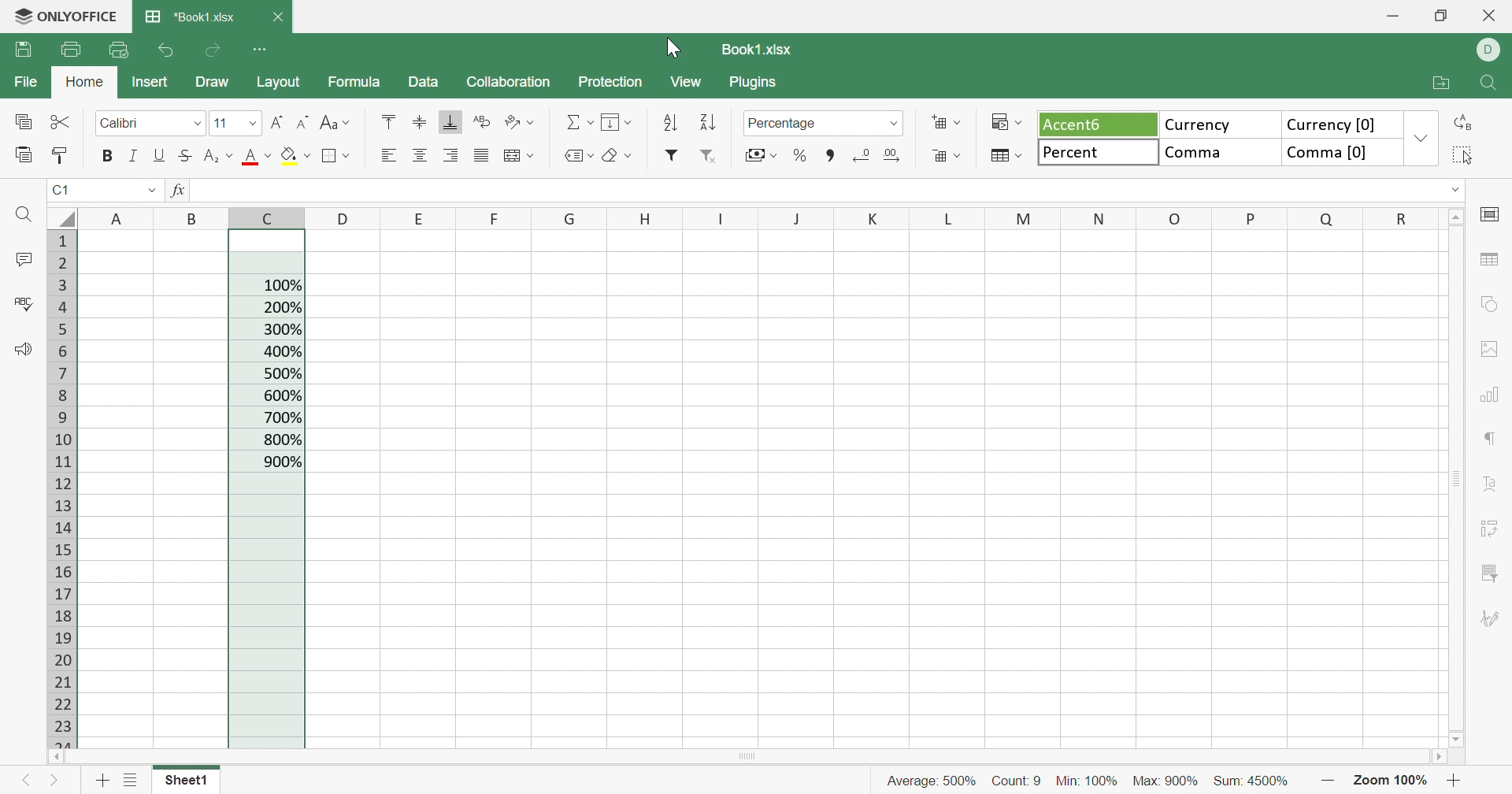 The width and height of the screenshot is (1512, 794). I want to click on Drop Down, so click(892, 123).